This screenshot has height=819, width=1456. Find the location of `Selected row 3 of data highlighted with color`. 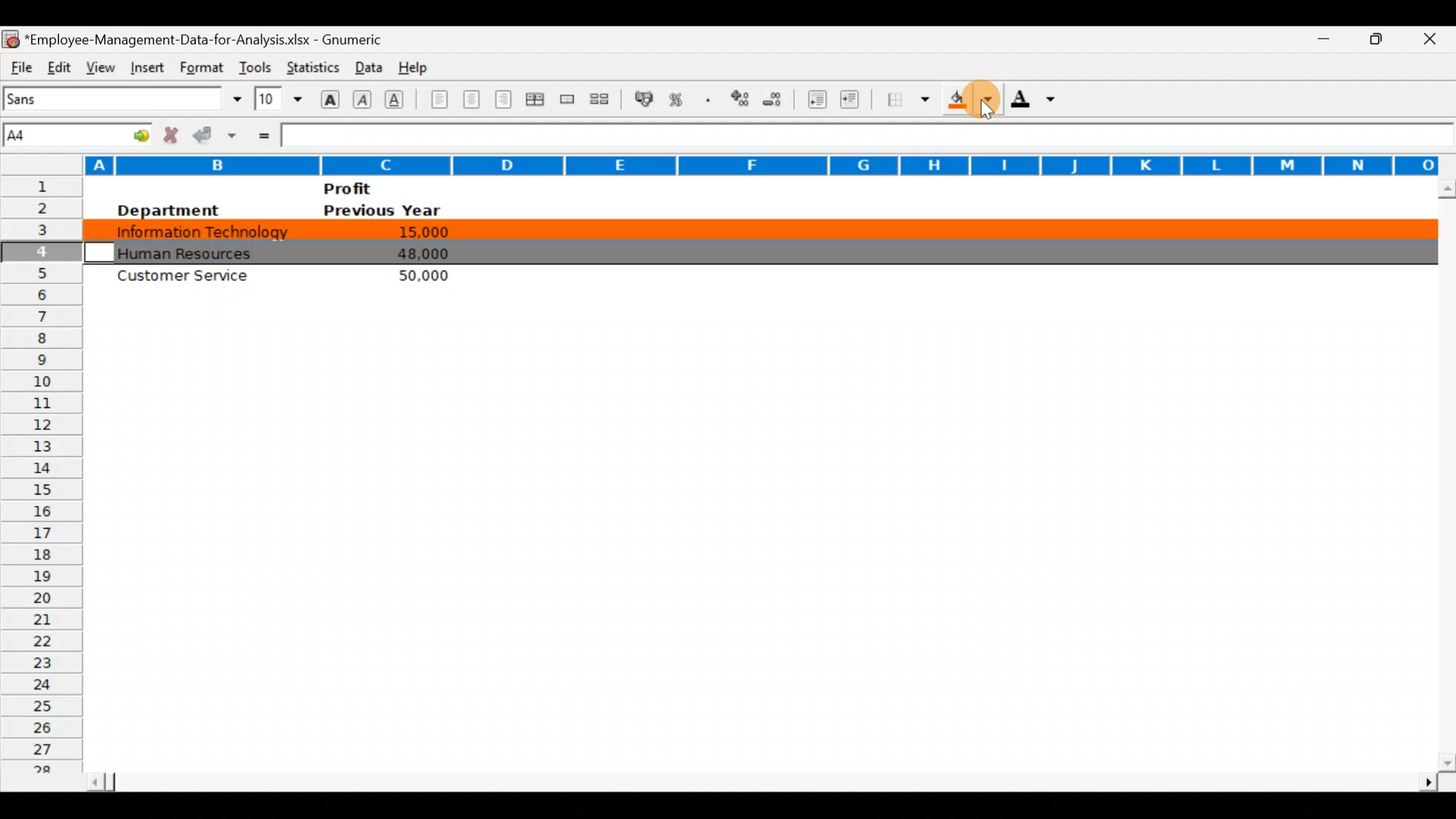

Selected row 3 of data highlighted with color is located at coordinates (755, 231).